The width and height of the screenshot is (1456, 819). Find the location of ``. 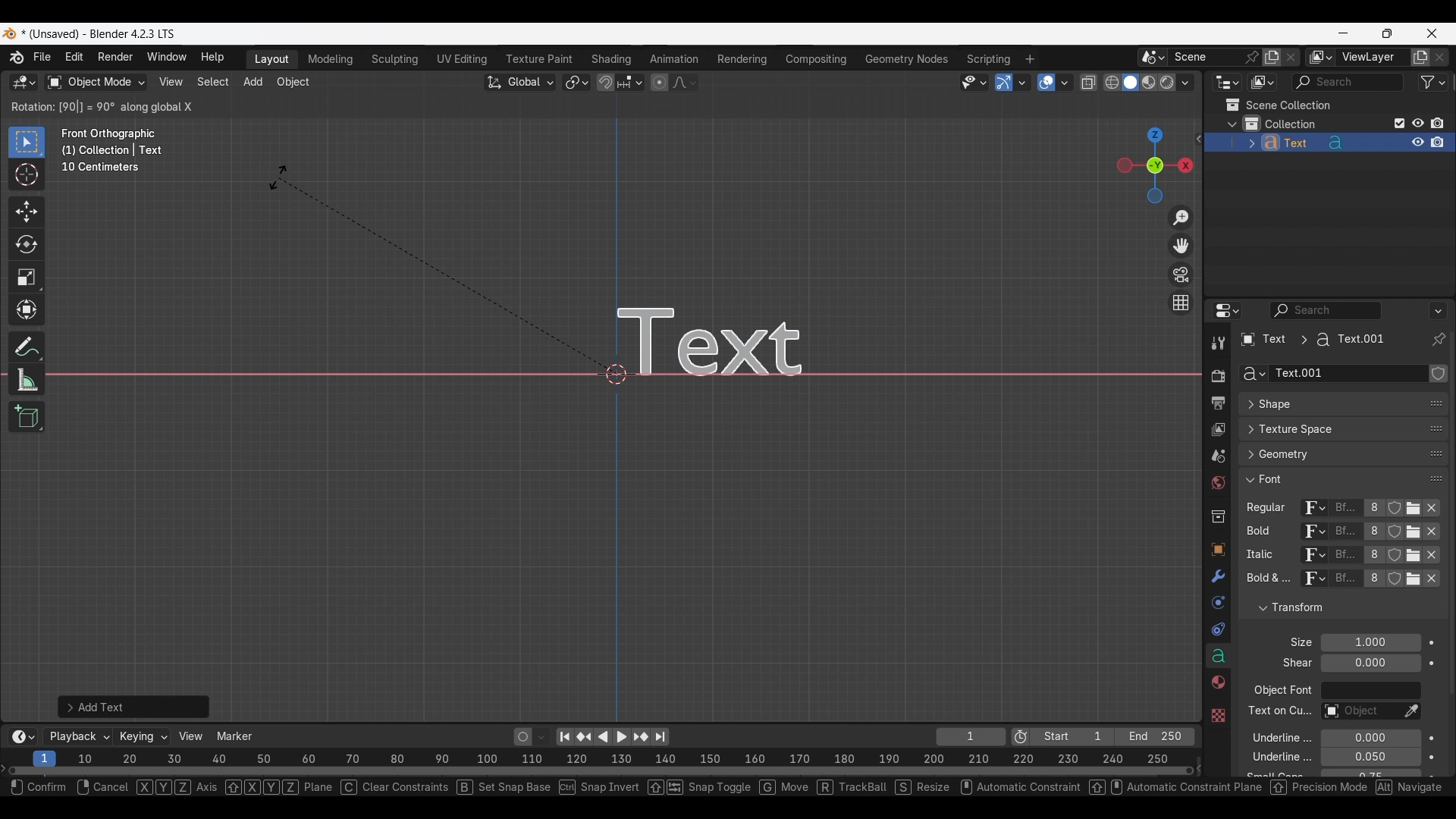

 is located at coordinates (1278, 713).